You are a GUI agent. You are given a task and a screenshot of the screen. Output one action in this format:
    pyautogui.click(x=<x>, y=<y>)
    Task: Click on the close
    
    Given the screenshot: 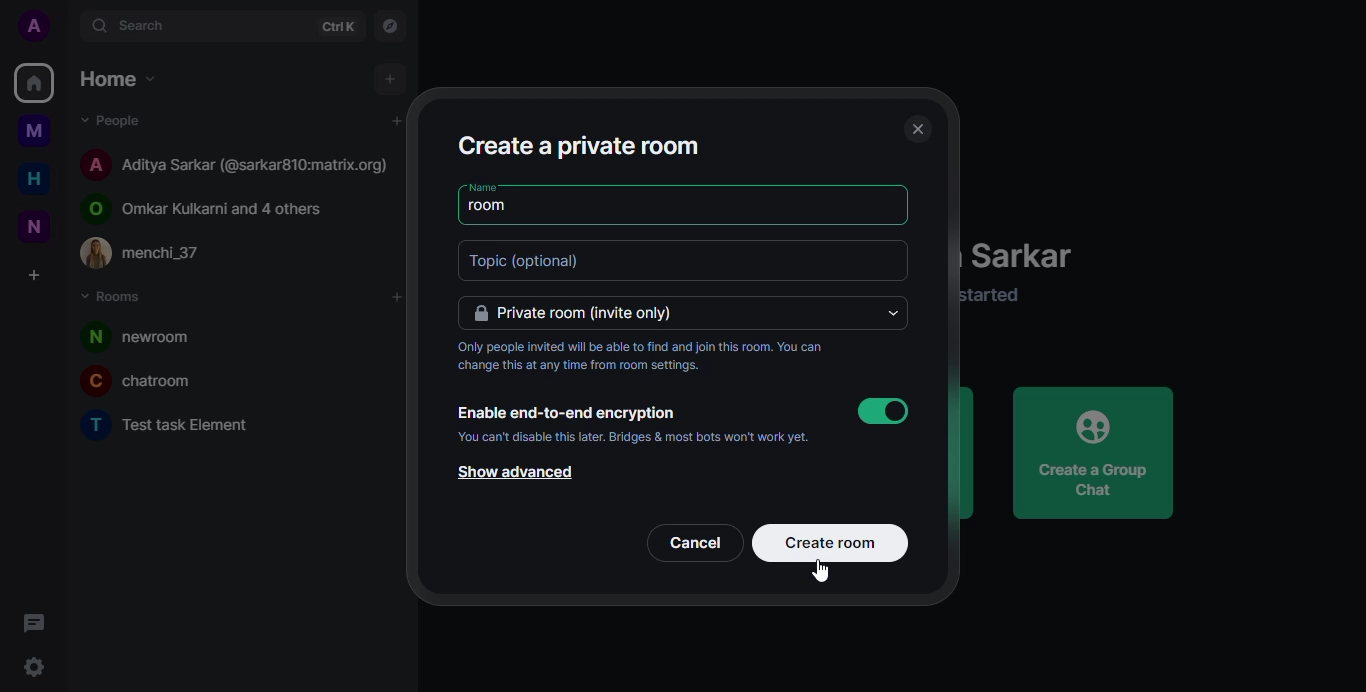 What is the action you would take?
    pyautogui.click(x=917, y=127)
    